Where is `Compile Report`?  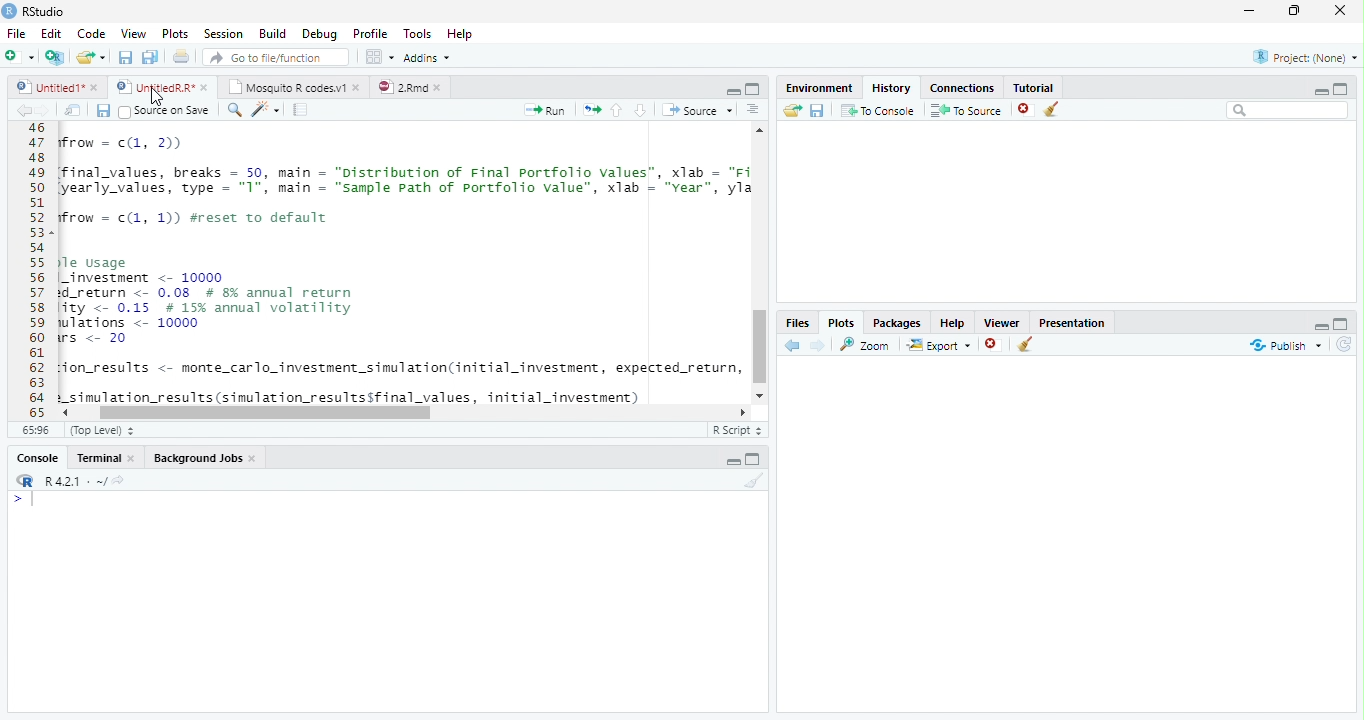 Compile Report is located at coordinates (303, 110).